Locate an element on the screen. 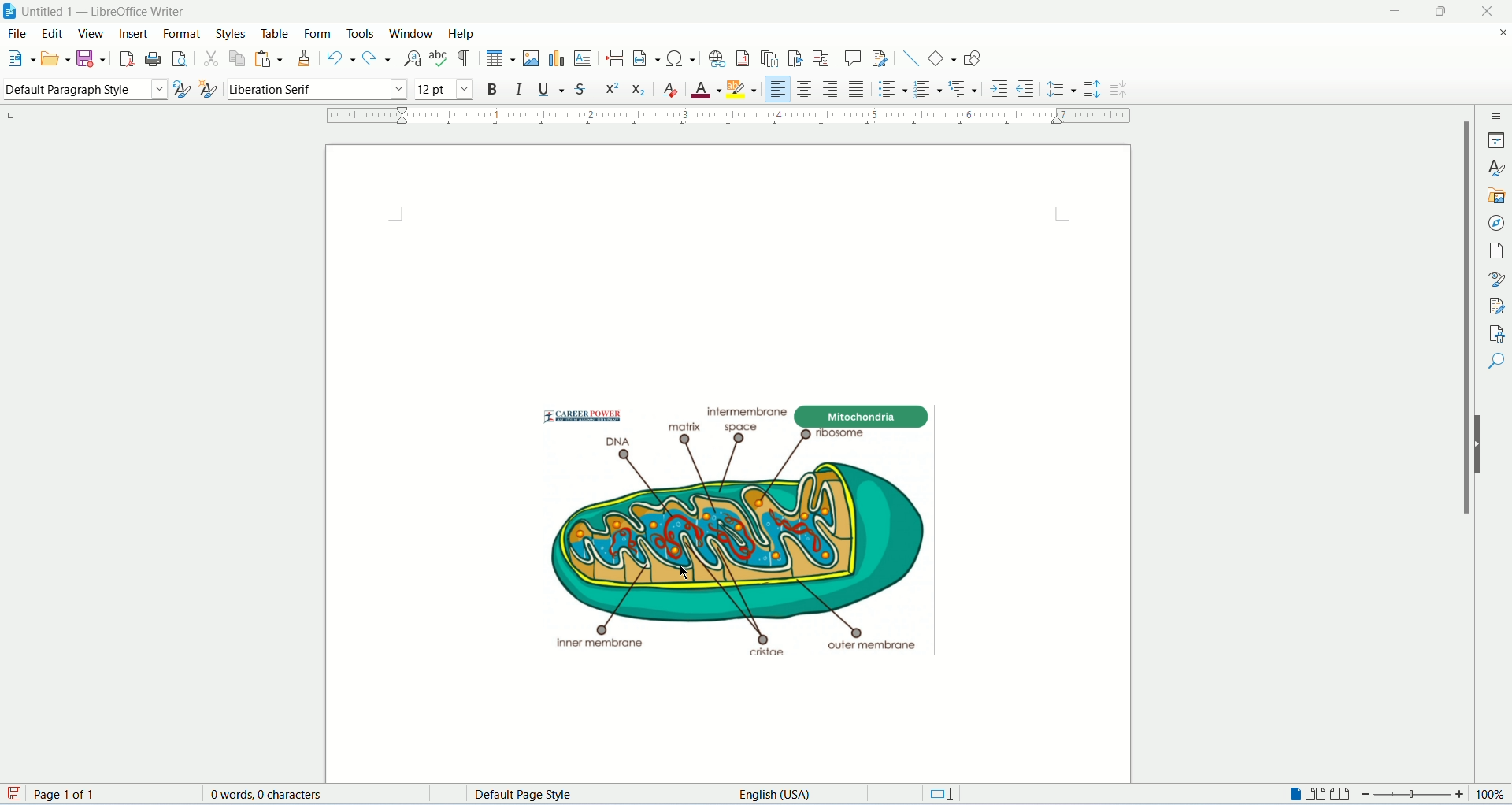  styles is located at coordinates (234, 33).